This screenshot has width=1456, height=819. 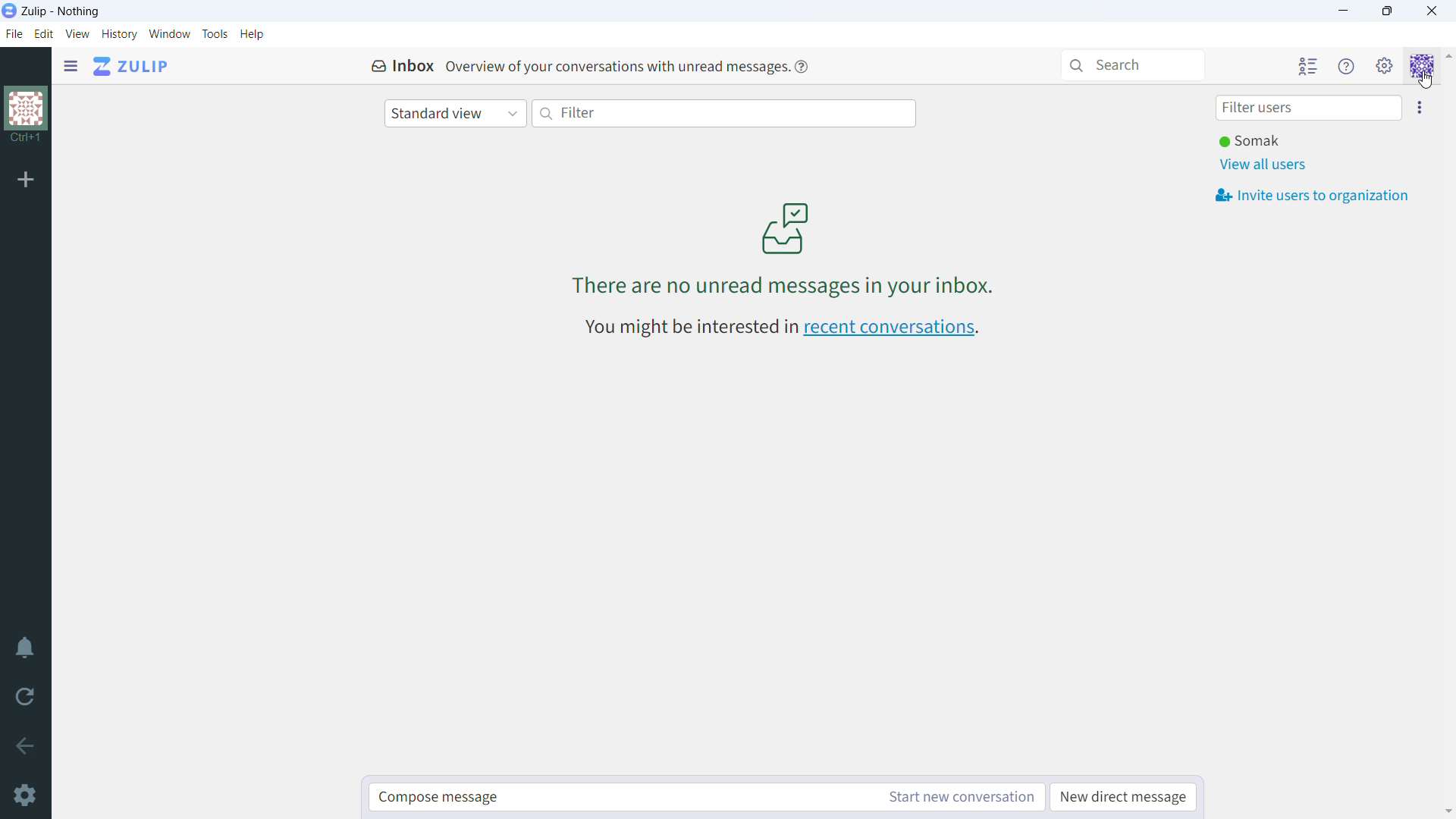 I want to click on help, so click(x=800, y=67).